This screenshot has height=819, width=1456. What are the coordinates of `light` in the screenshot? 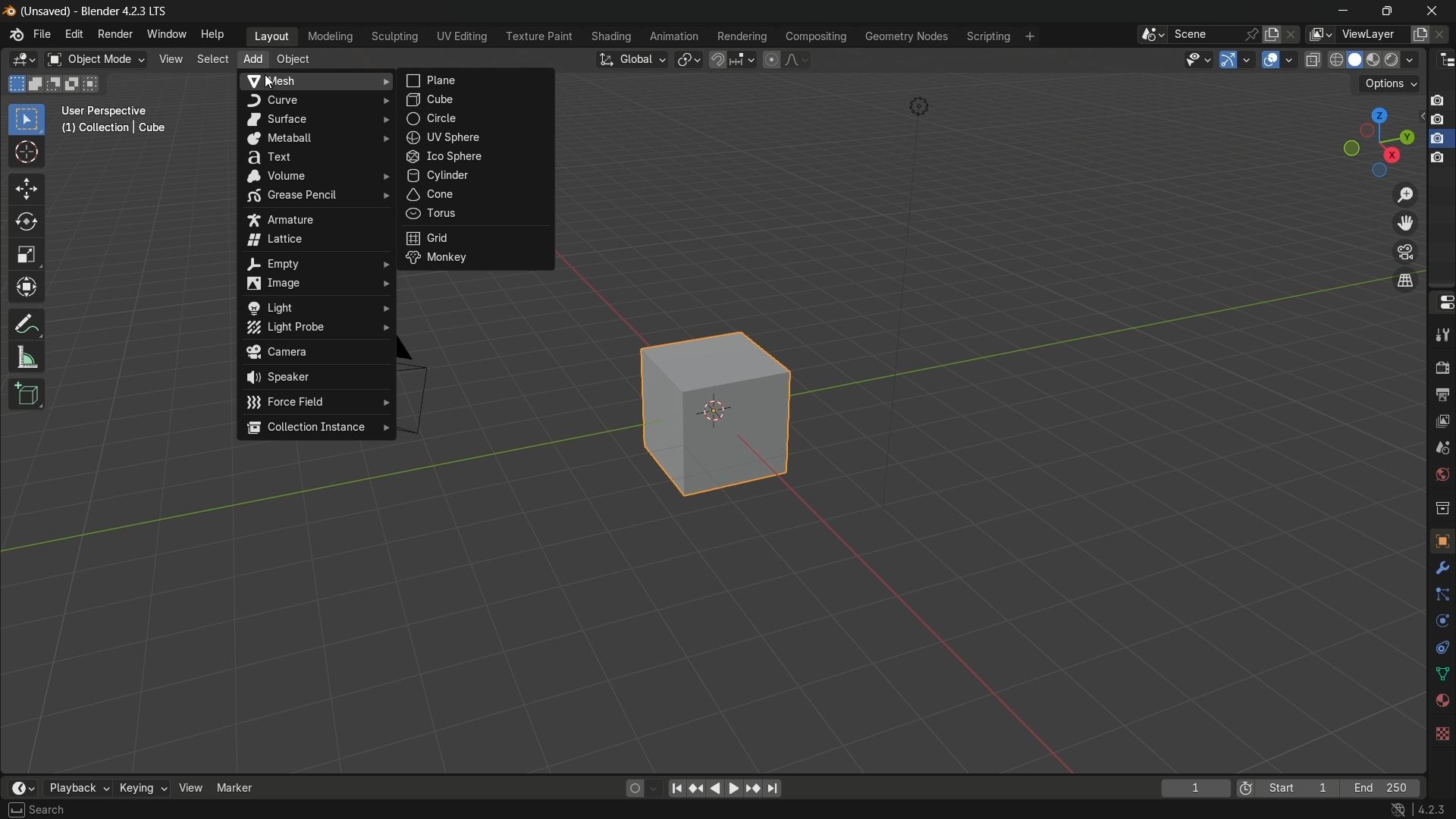 It's located at (314, 308).